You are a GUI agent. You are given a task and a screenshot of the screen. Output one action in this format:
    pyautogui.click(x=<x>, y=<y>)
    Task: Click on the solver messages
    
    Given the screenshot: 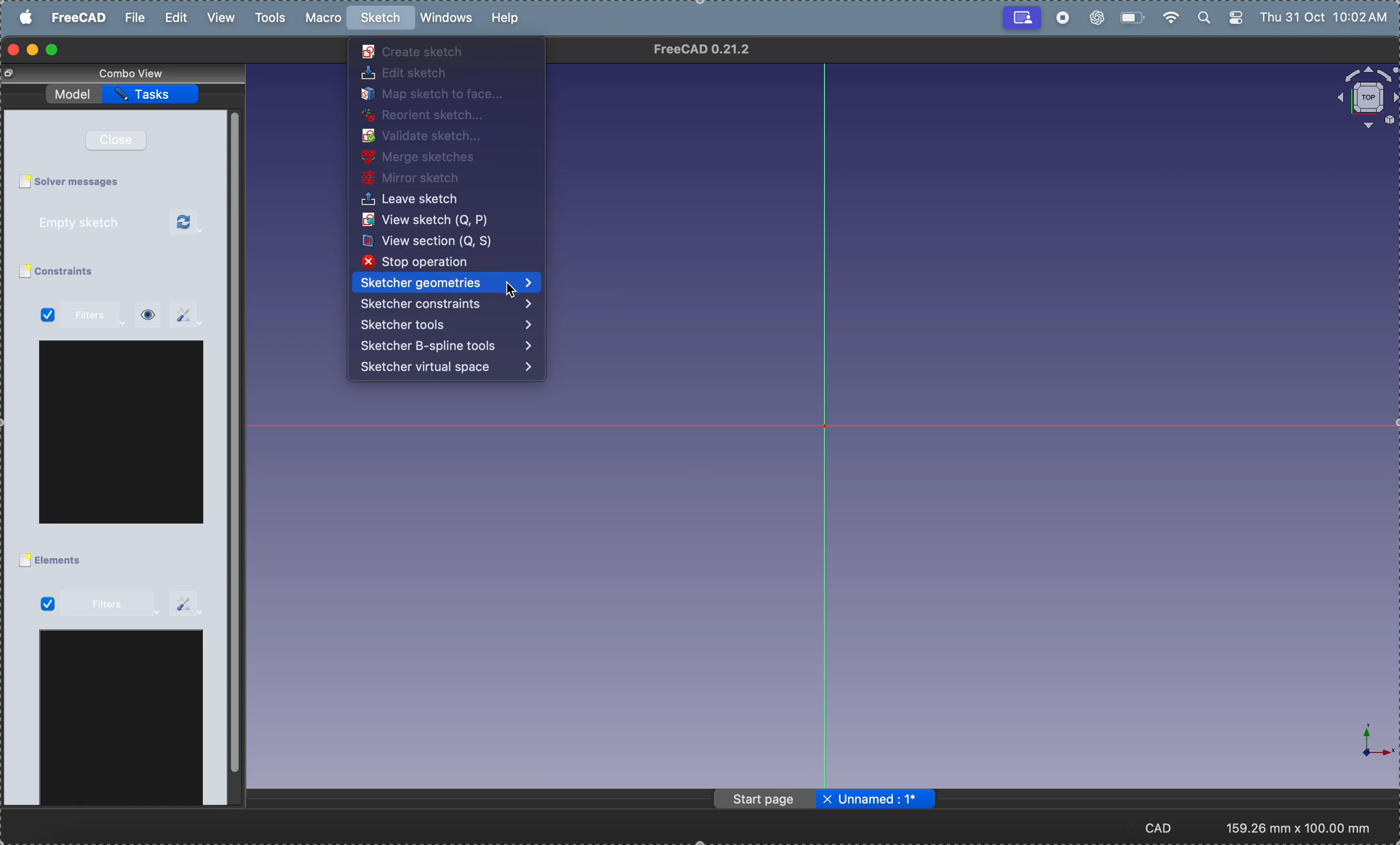 What is the action you would take?
    pyautogui.click(x=82, y=182)
    